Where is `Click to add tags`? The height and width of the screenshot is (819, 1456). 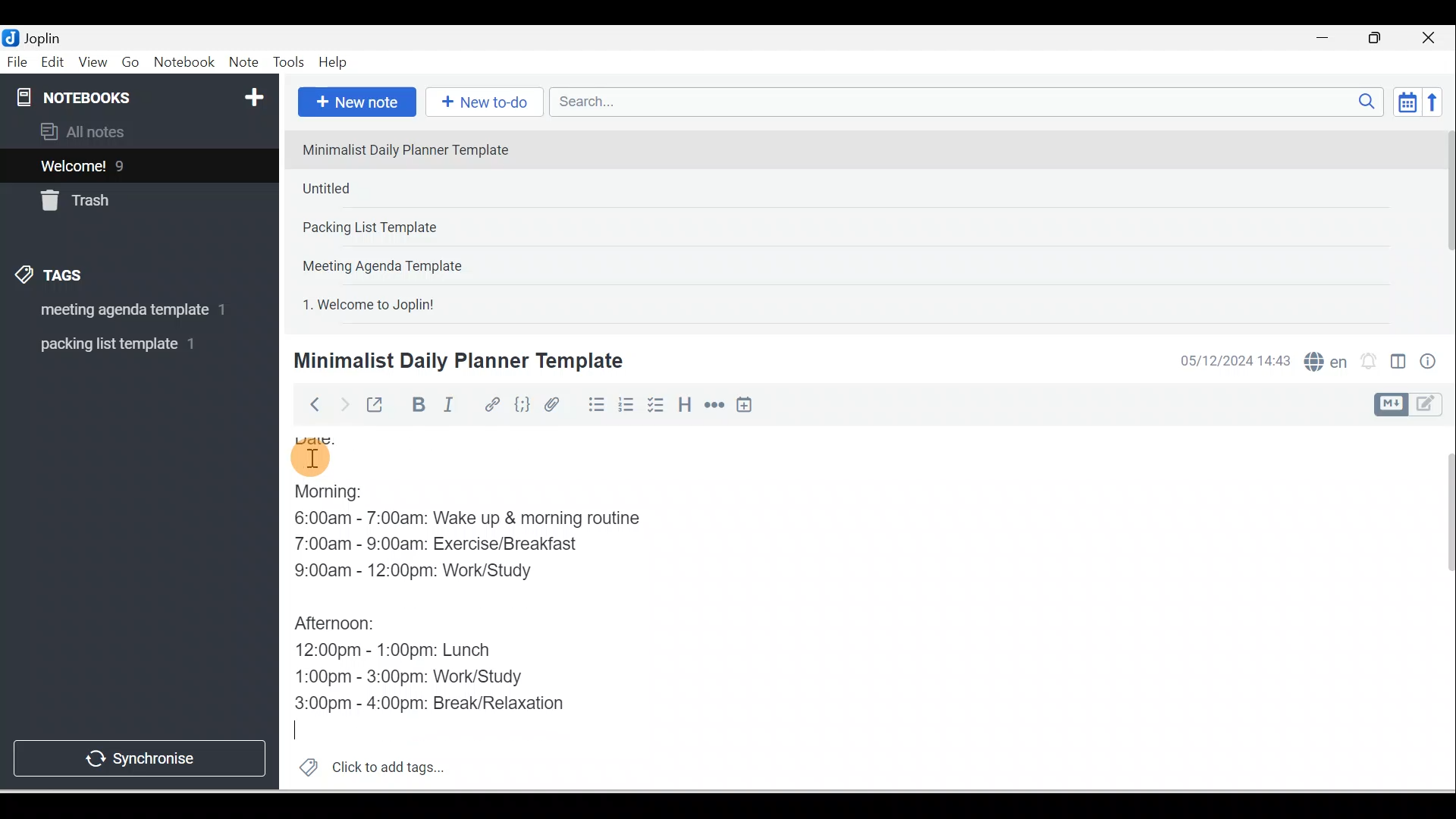
Click to add tags is located at coordinates (366, 765).